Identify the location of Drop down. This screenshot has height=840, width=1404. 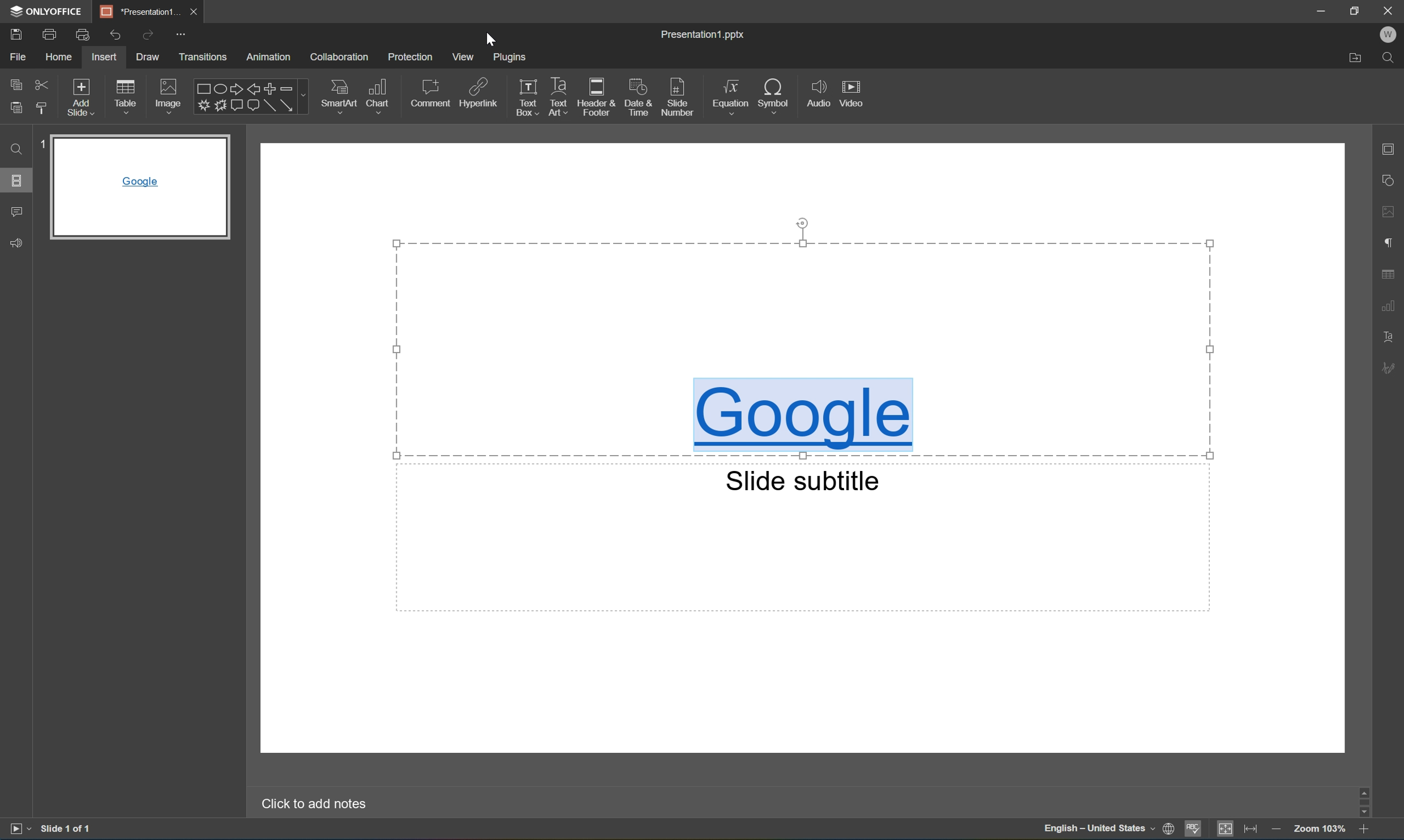
(304, 96).